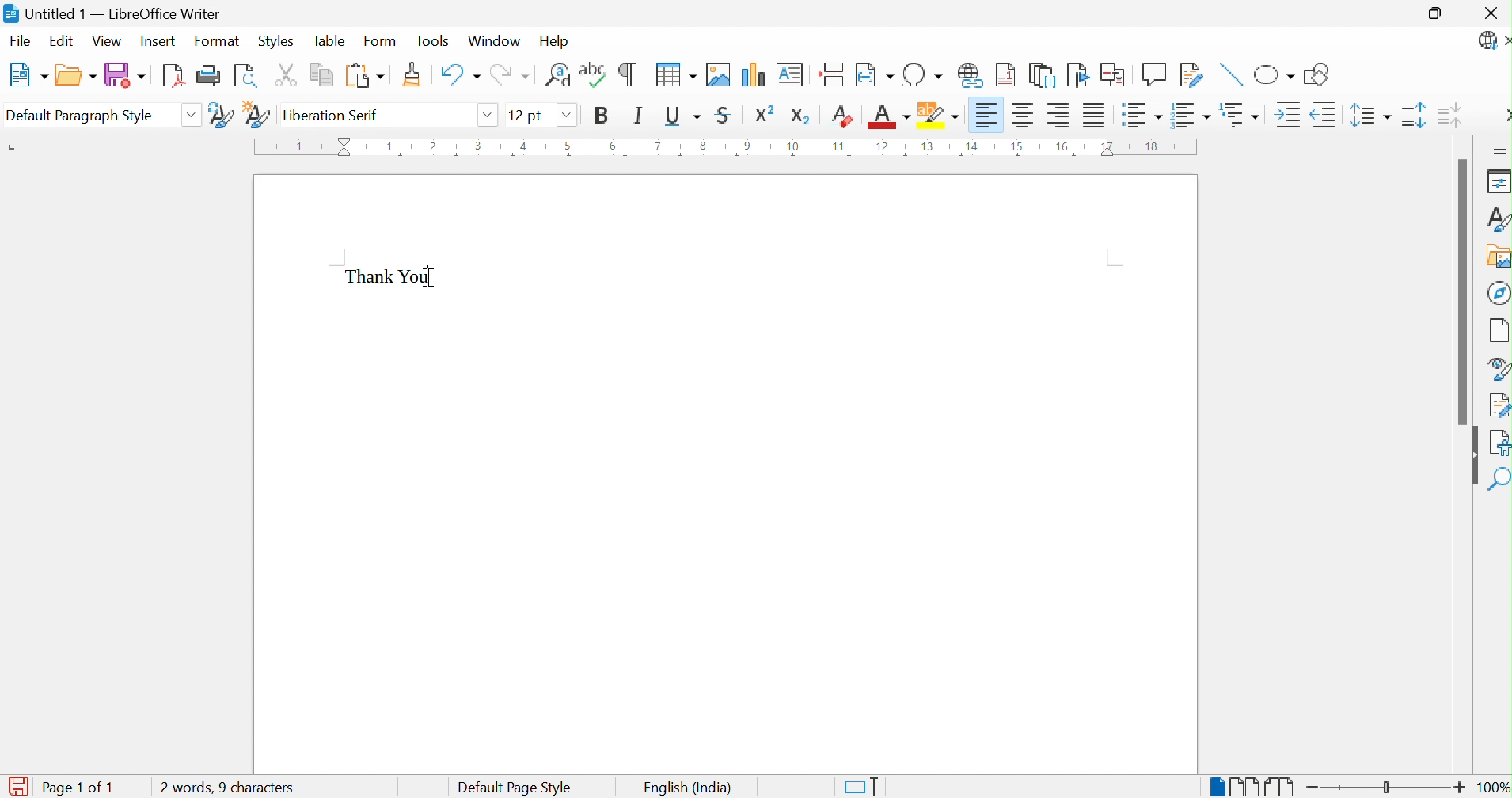  What do you see at coordinates (1488, 12) in the screenshot?
I see `Close` at bounding box center [1488, 12].